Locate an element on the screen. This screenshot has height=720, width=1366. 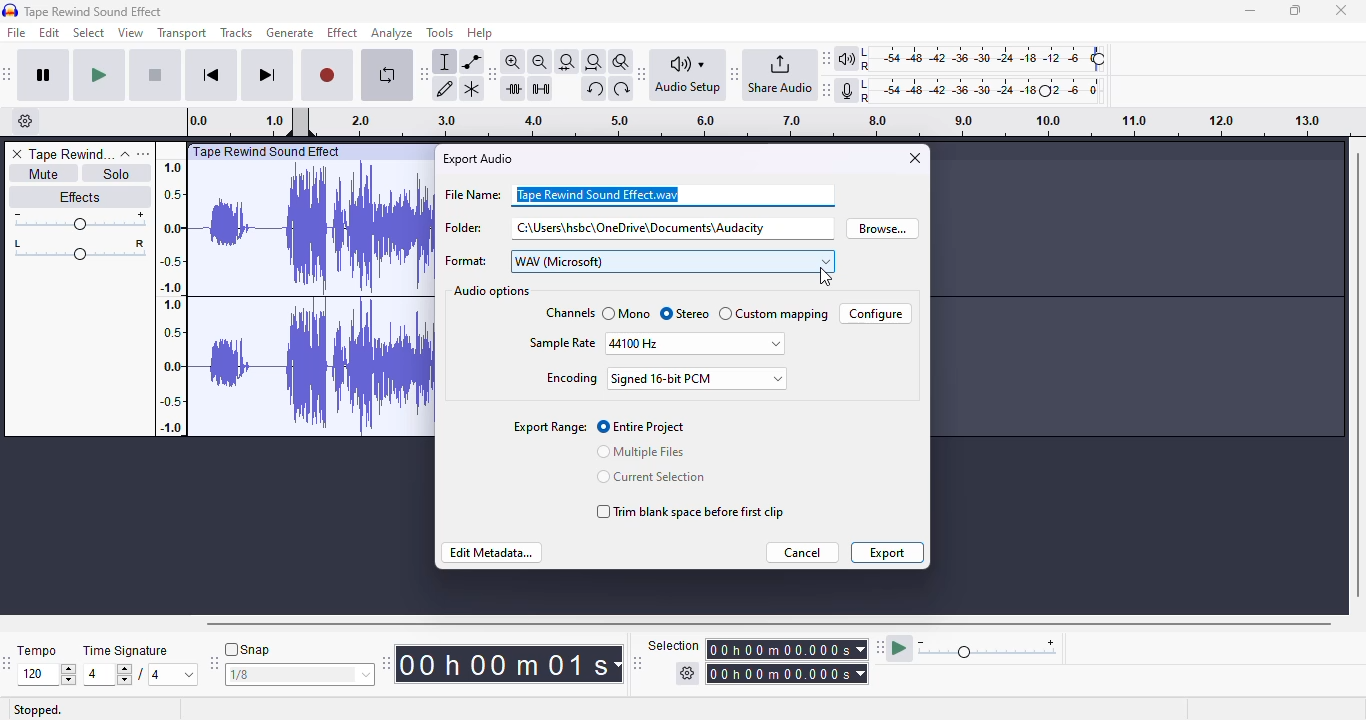
current selection is located at coordinates (651, 476).